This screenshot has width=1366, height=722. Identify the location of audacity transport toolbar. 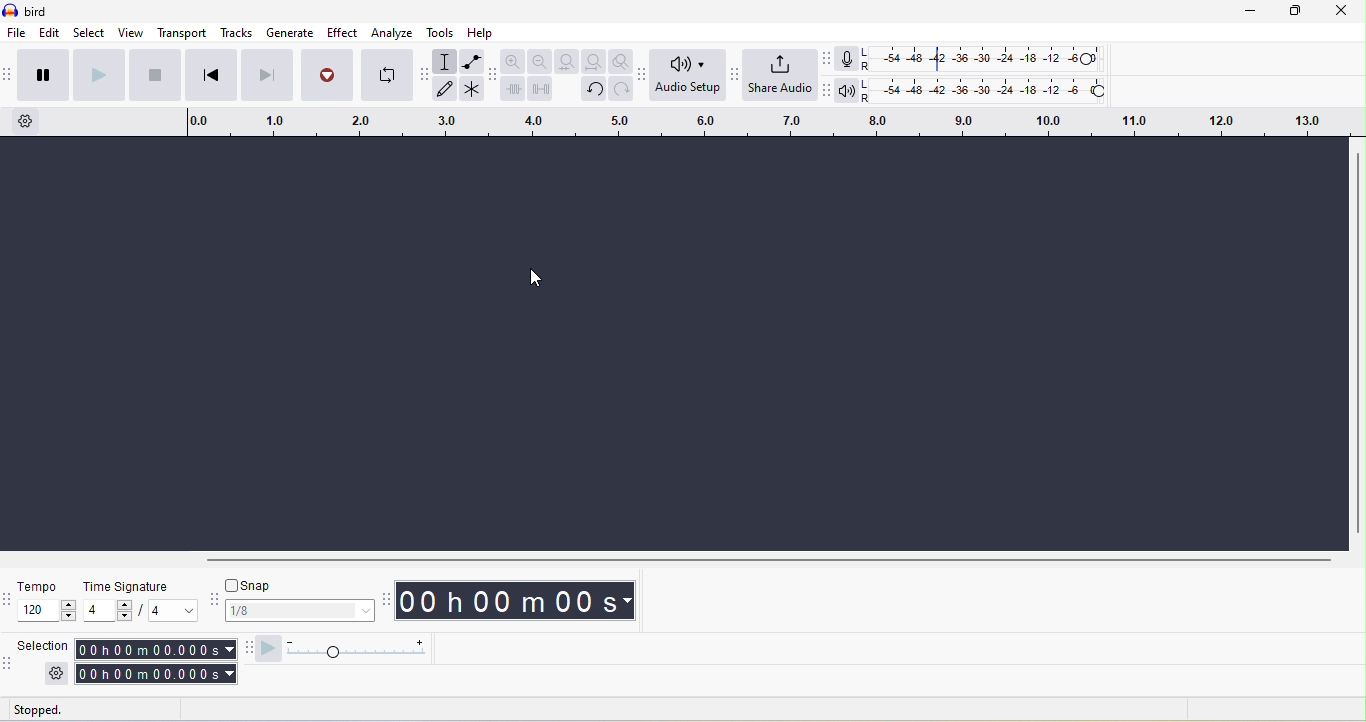
(9, 74).